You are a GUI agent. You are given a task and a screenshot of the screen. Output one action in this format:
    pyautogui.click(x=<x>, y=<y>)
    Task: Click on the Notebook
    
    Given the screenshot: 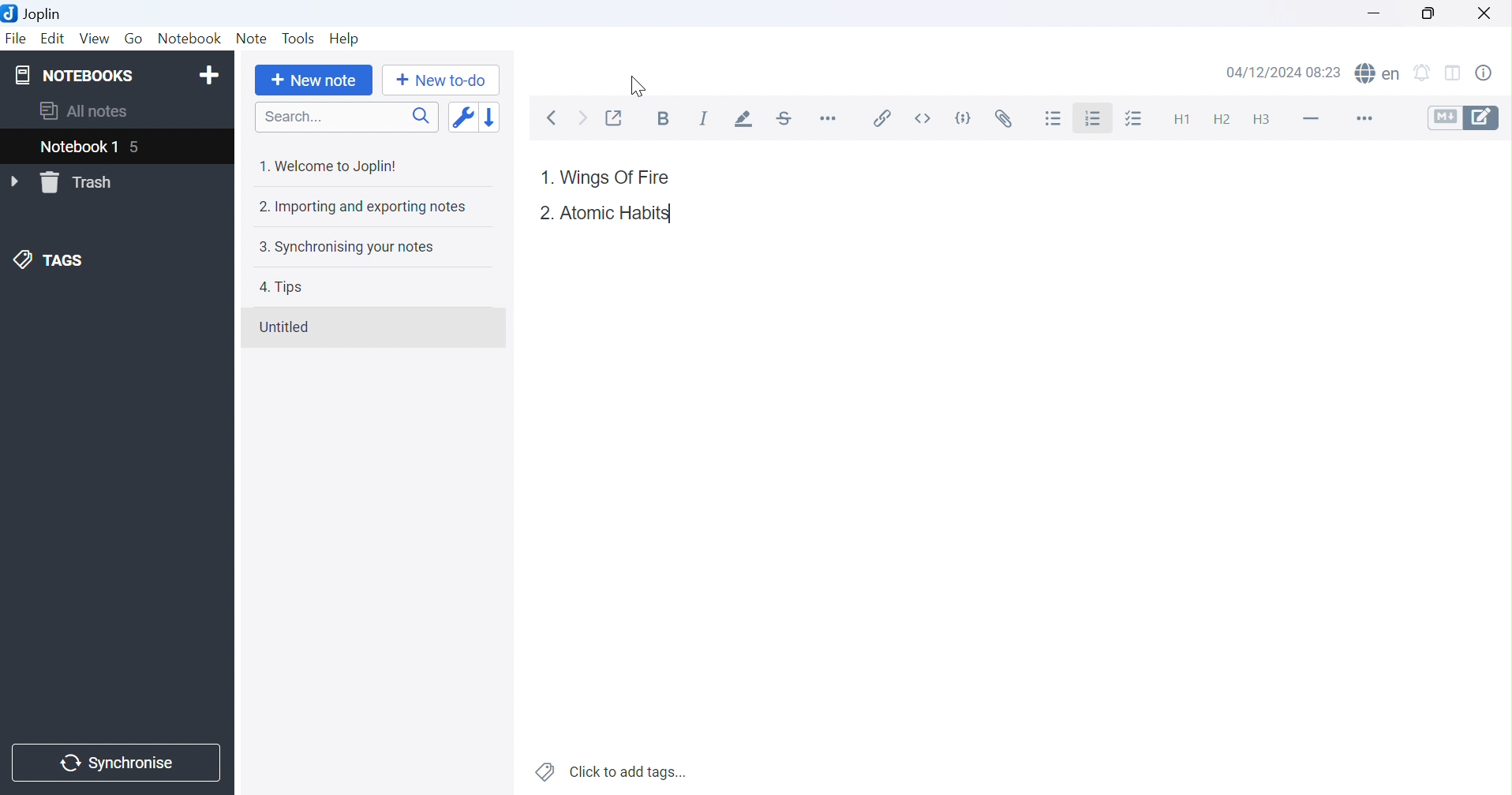 What is the action you would take?
    pyautogui.click(x=189, y=37)
    